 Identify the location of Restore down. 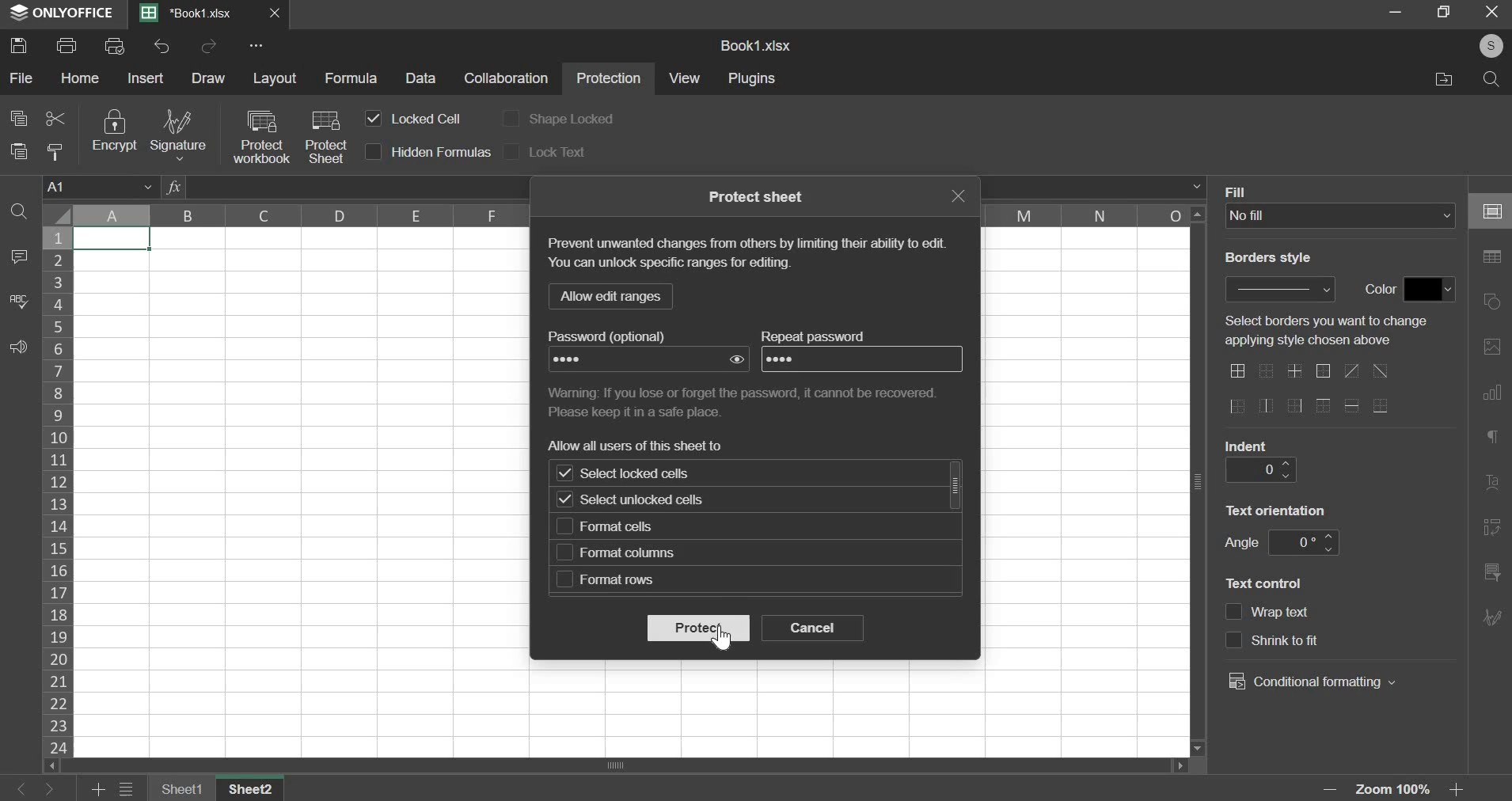
(1396, 11).